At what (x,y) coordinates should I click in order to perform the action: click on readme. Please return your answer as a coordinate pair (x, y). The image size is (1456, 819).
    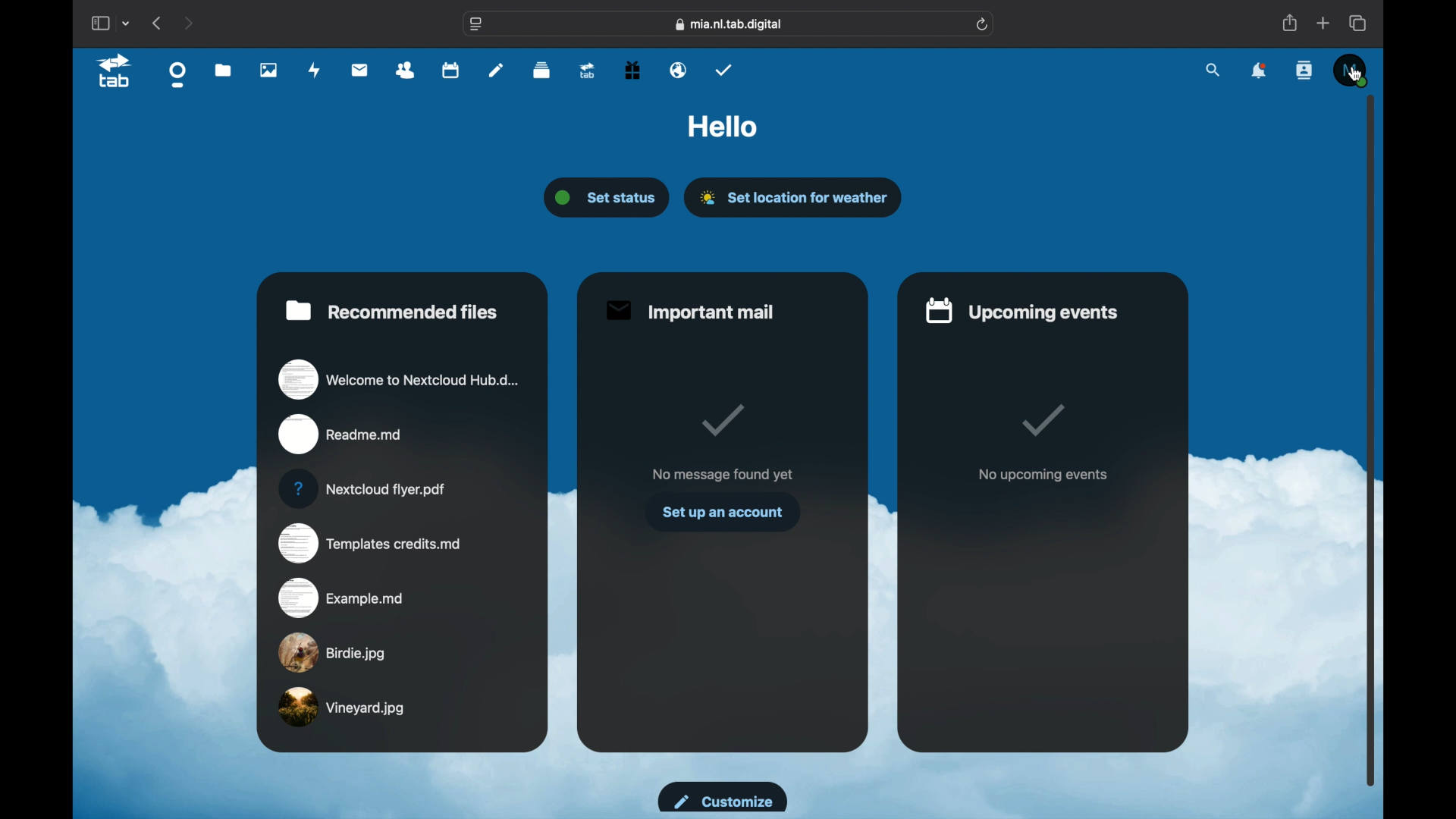
    Looking at the image, I should click on (341, 435).